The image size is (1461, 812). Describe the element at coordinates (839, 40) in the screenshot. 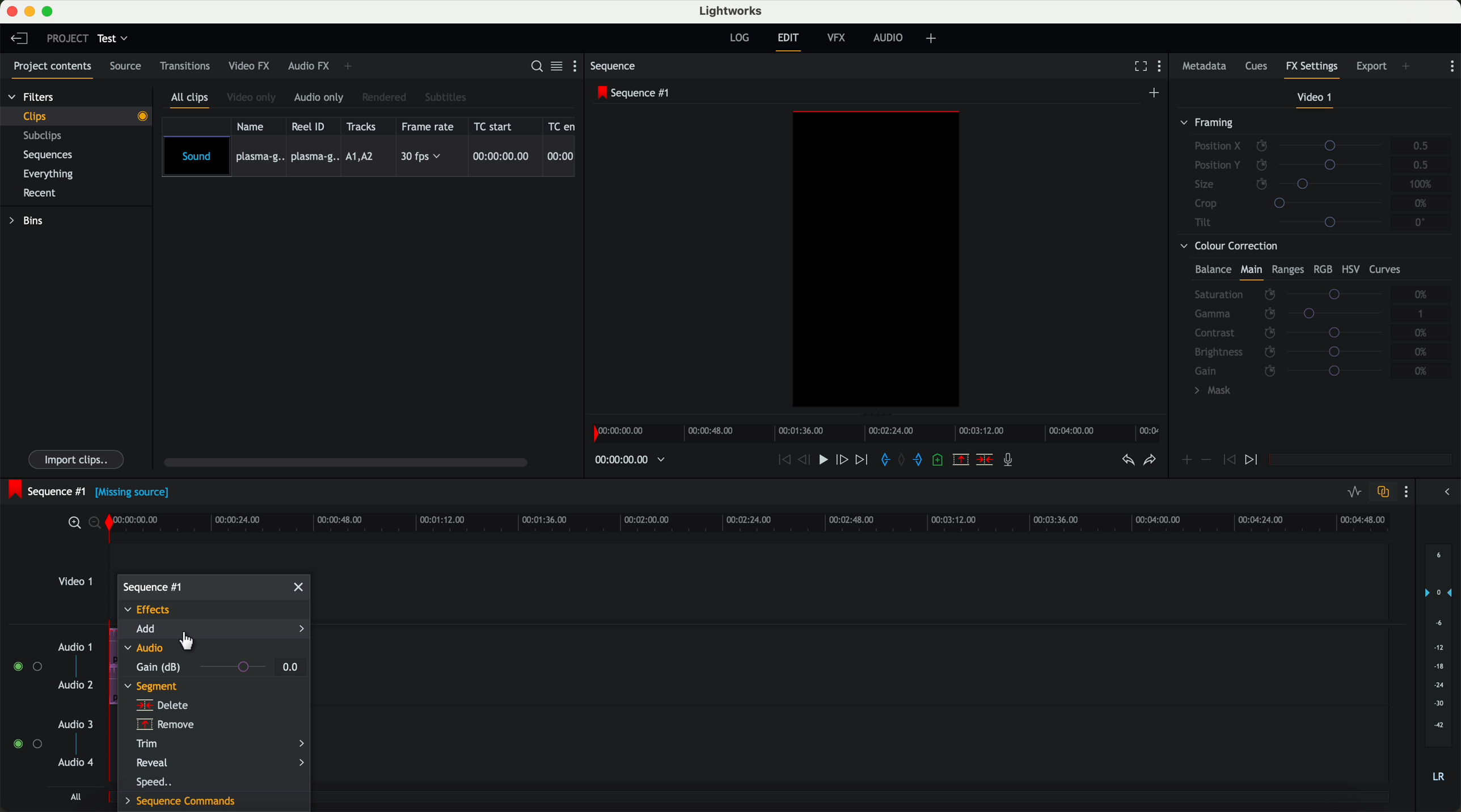

I see `VFX` at that location.